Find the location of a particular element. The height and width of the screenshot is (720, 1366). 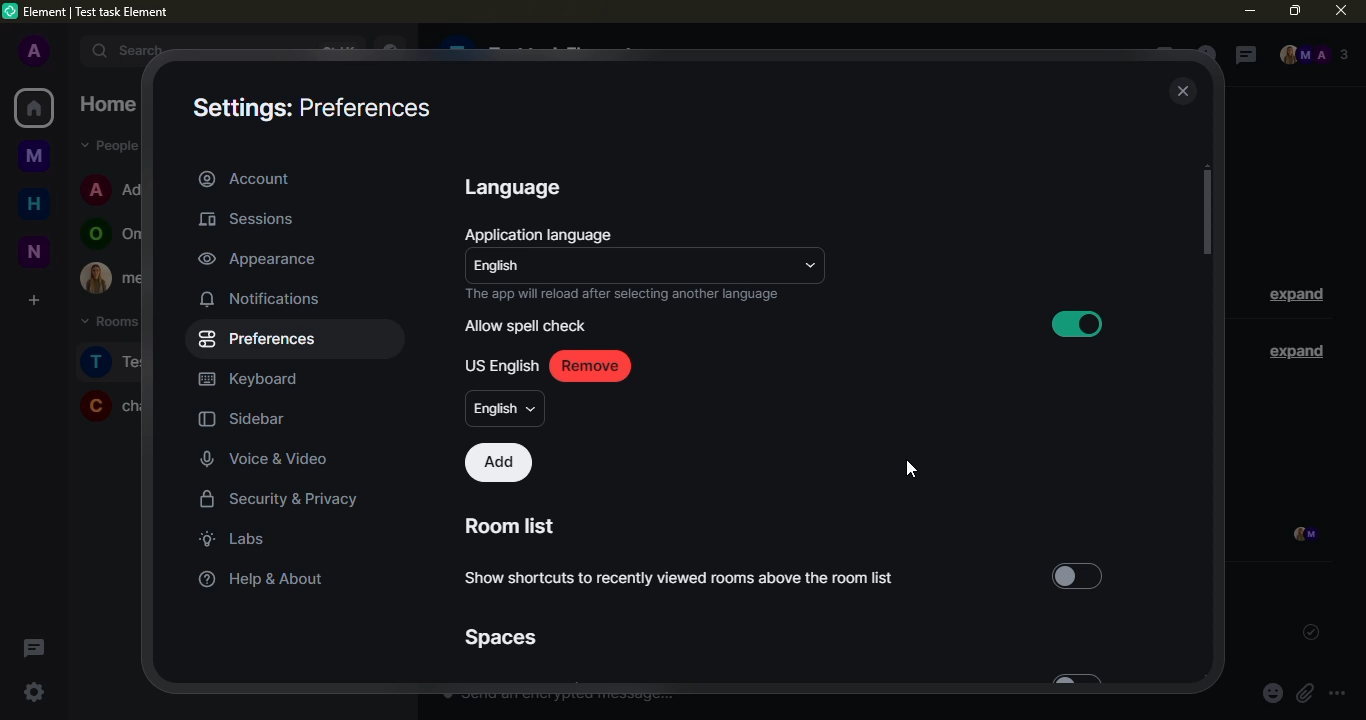

room list is located at coordinates (513, 527).